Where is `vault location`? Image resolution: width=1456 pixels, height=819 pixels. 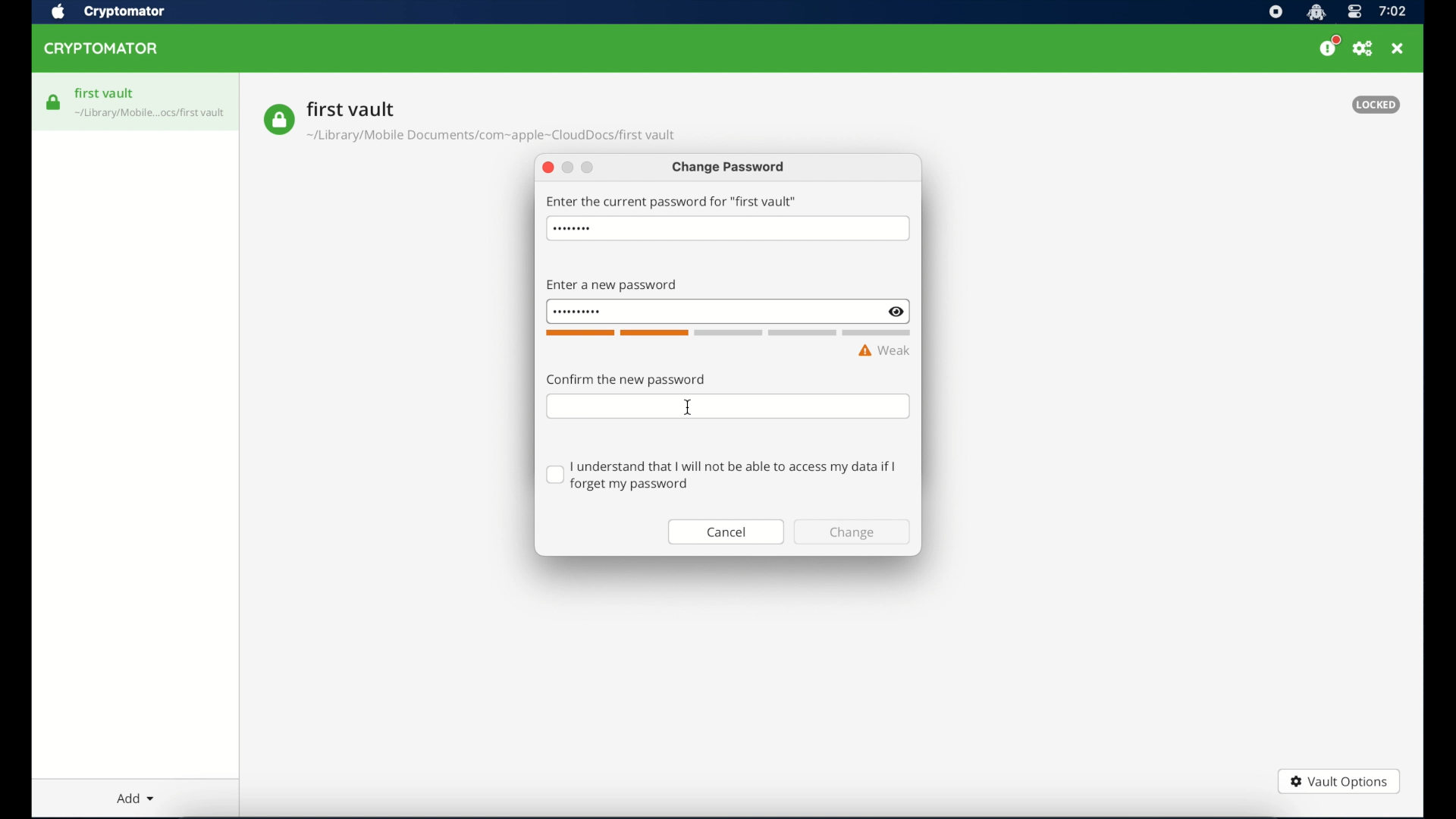
vault location is located at coordinates (493, 138).